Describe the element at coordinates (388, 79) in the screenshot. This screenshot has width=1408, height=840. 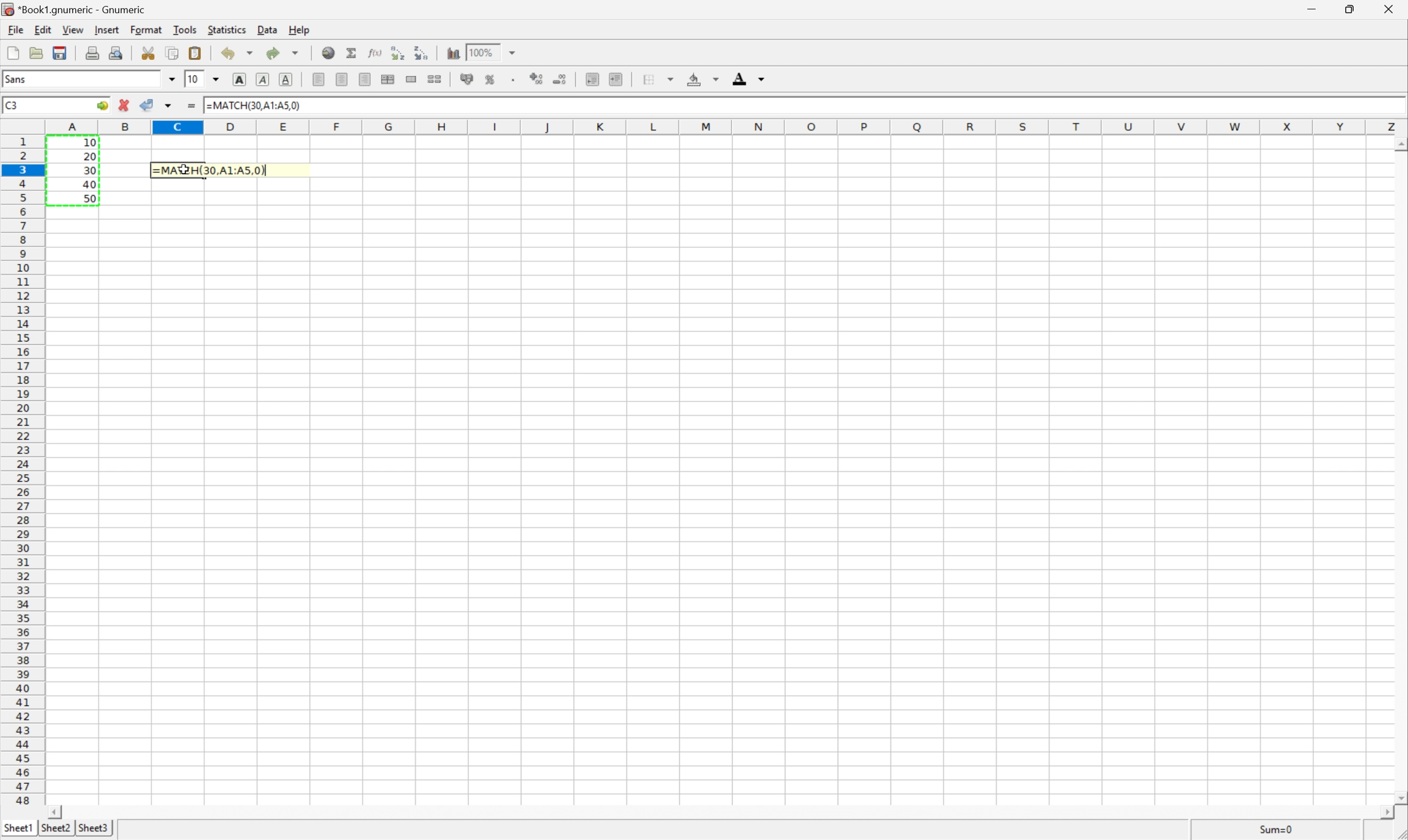
I see `Center horizontally across the selection` at that location.